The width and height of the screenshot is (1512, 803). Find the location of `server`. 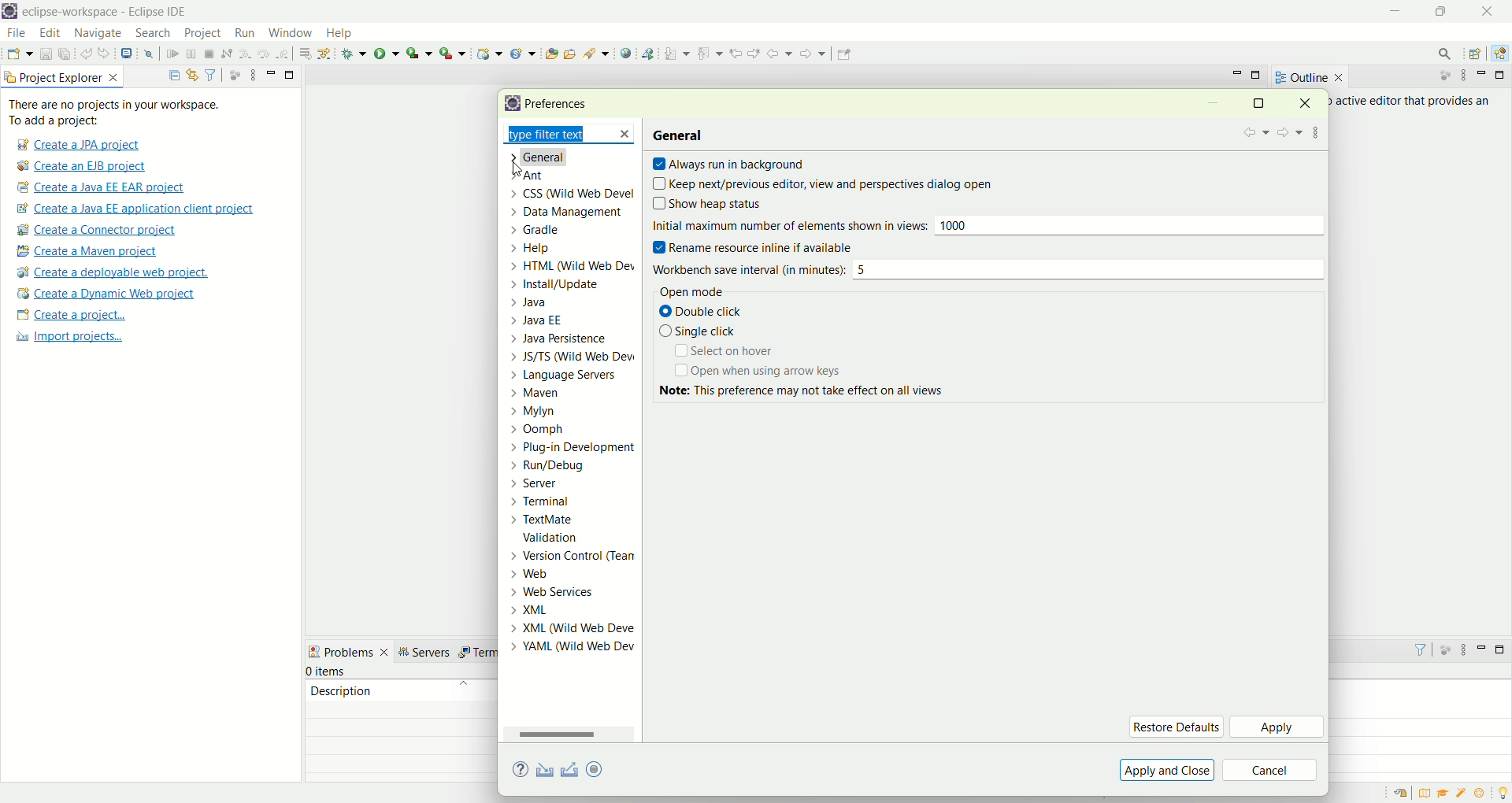

server is located at coordinates (573, 487).